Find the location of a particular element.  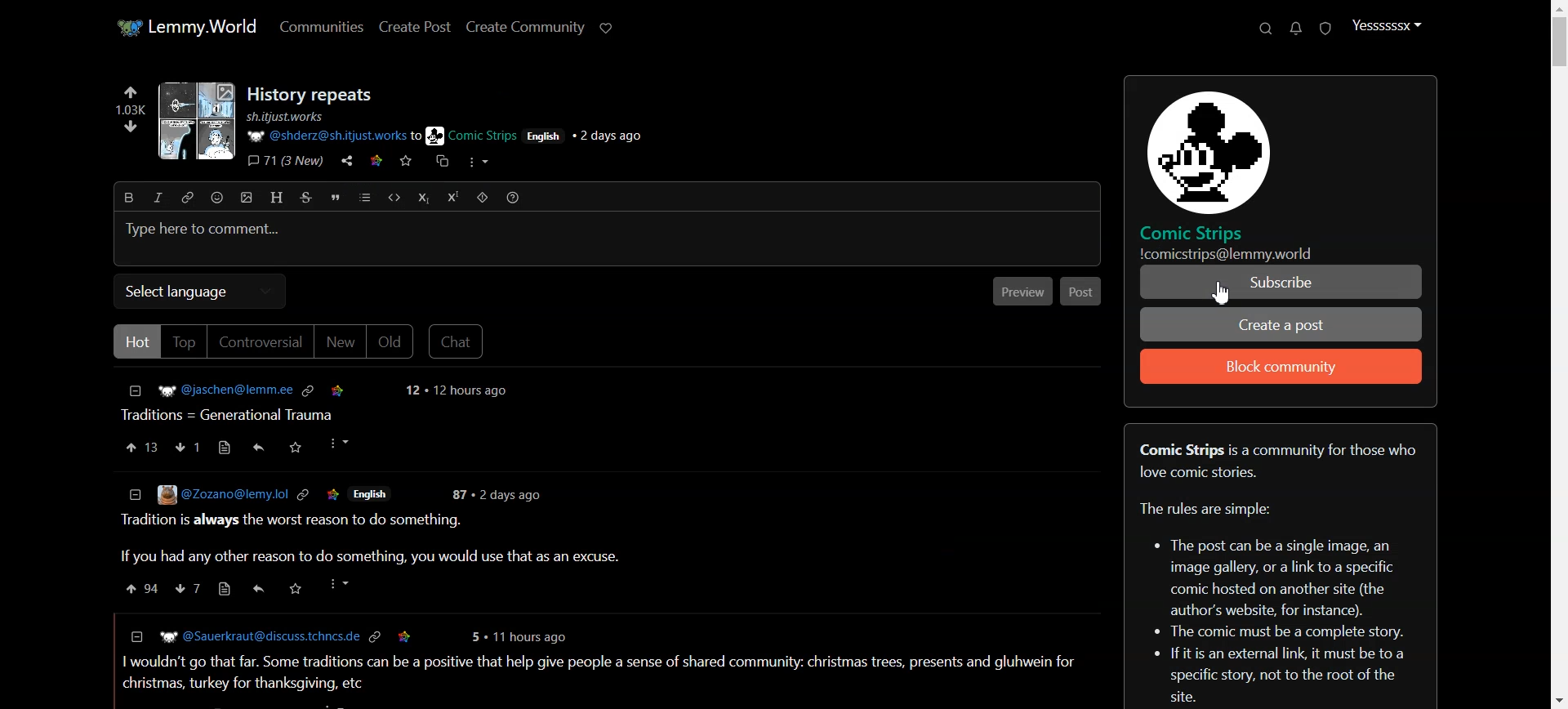

| wouldn't go that far. Some traditions can be a positive that help give people a sense of shared community: christmas trees, presents and gluhwein for
christmas, turkey for thanksgiving, etc is located at coordinates (598, 671).